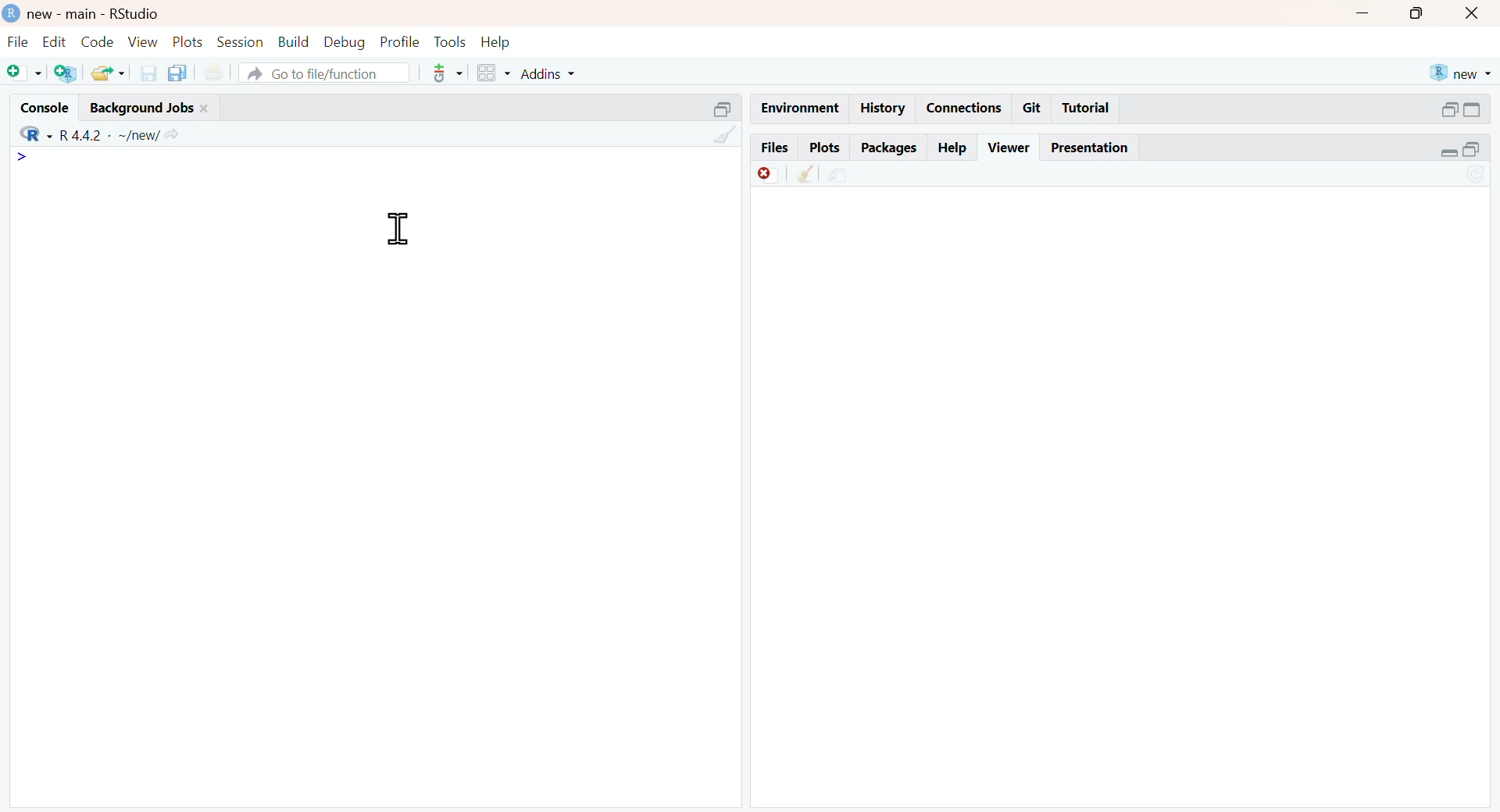 This screenshot has height=812, width=1500. I want to click on A Go to file/function, so click(323, 73).